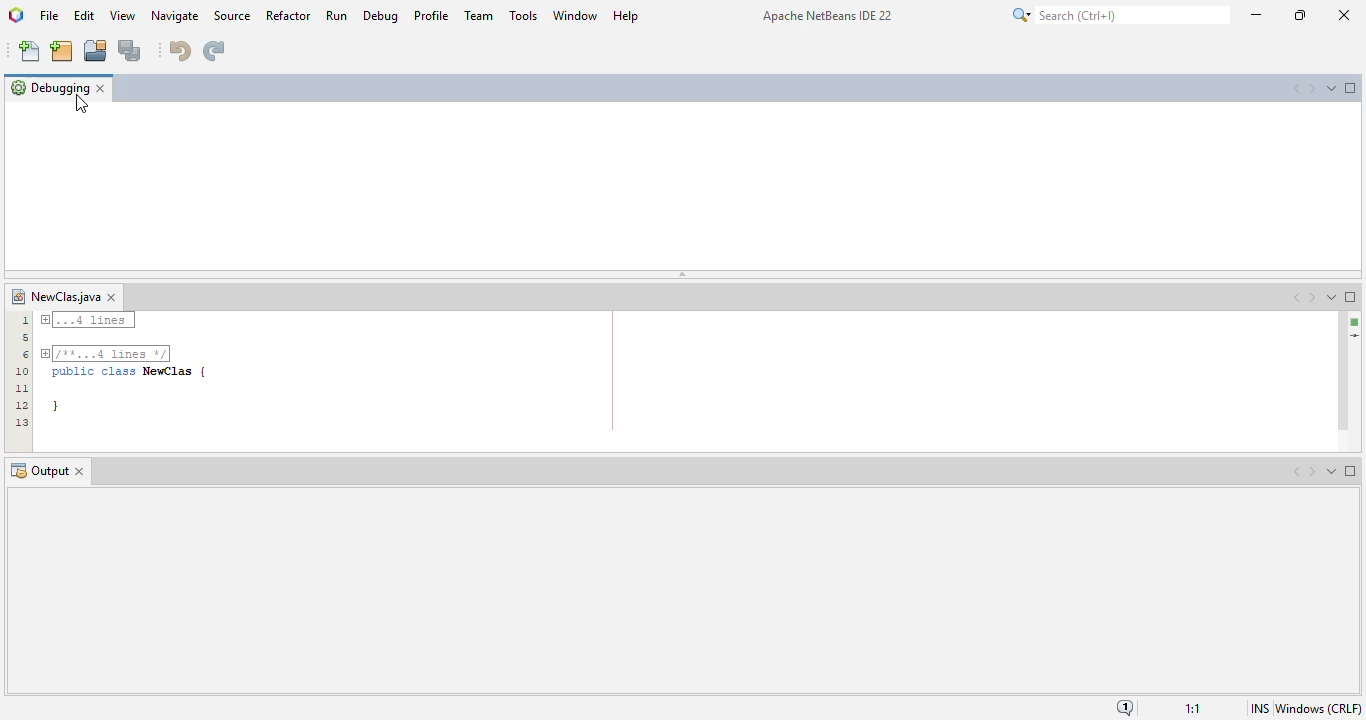 The height and width of the screenshot is (720, 1366). What do you see at coordinates (176, 16) in the screenshot?
I see `navigate` at bounding box center [176, 16].